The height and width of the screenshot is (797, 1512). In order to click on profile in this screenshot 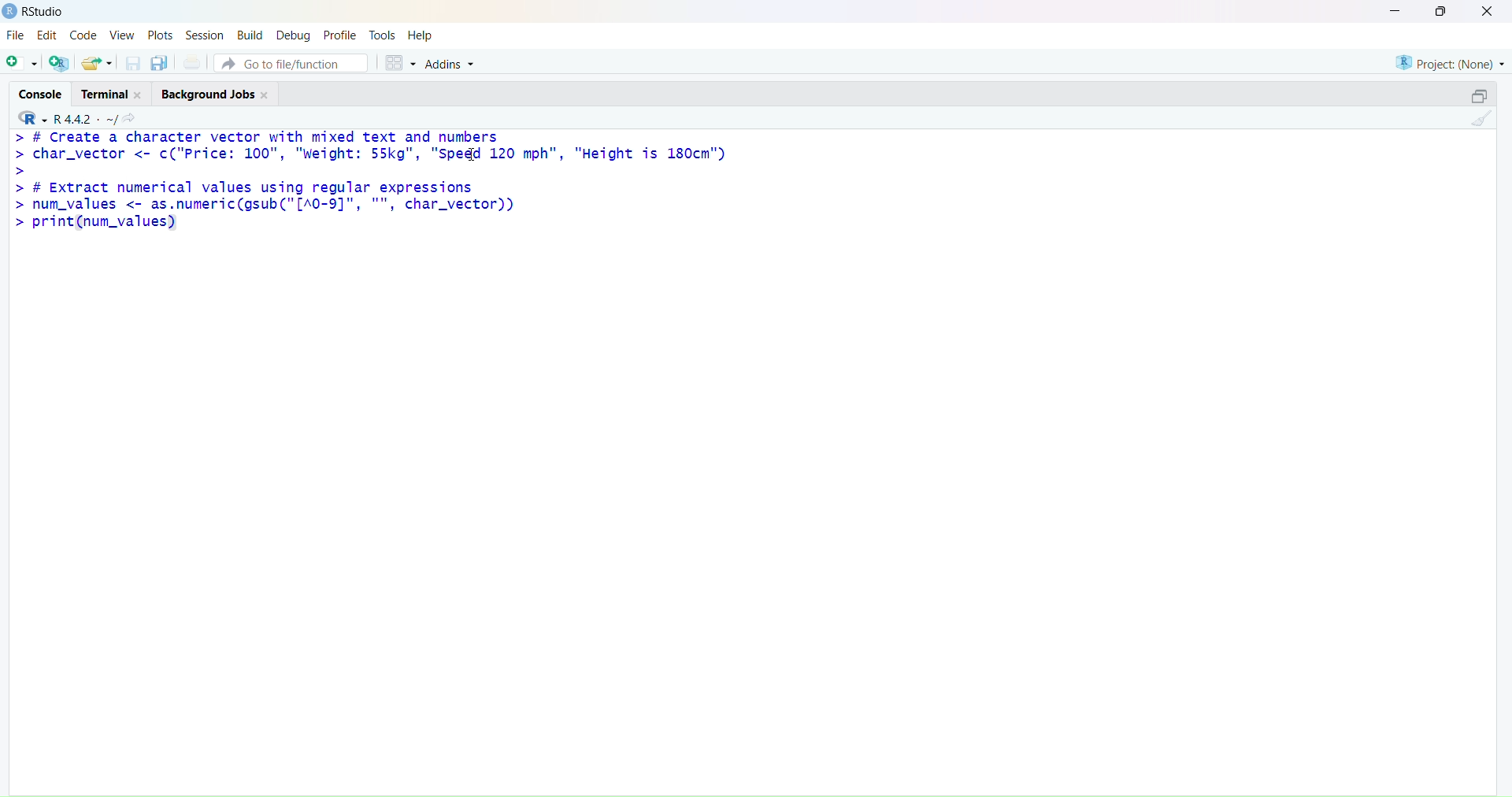, I will do `click(340, 36)`.